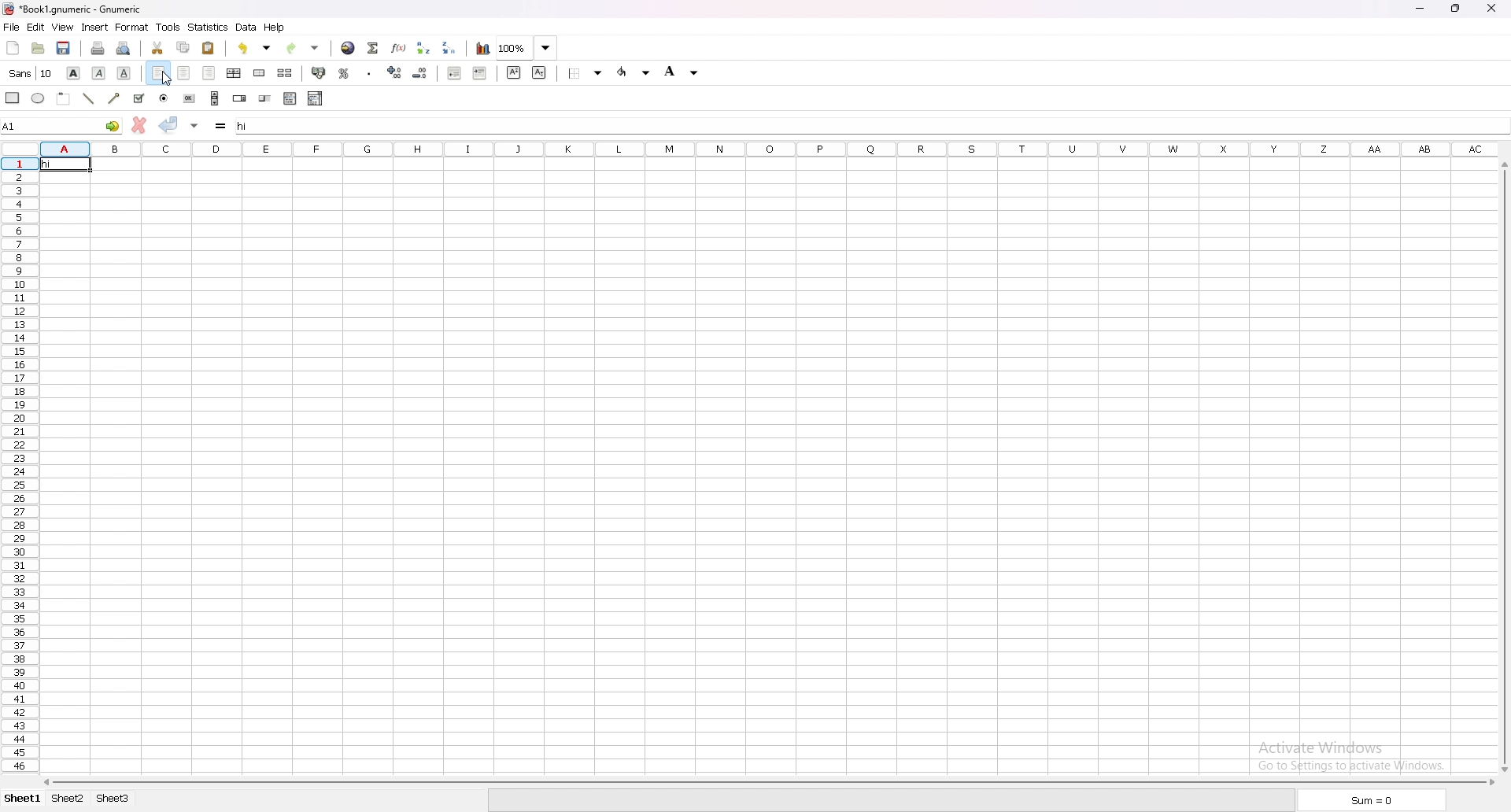  Describe the element at coordinates (254, 48) in the screenshot. I see `undo` at that location.